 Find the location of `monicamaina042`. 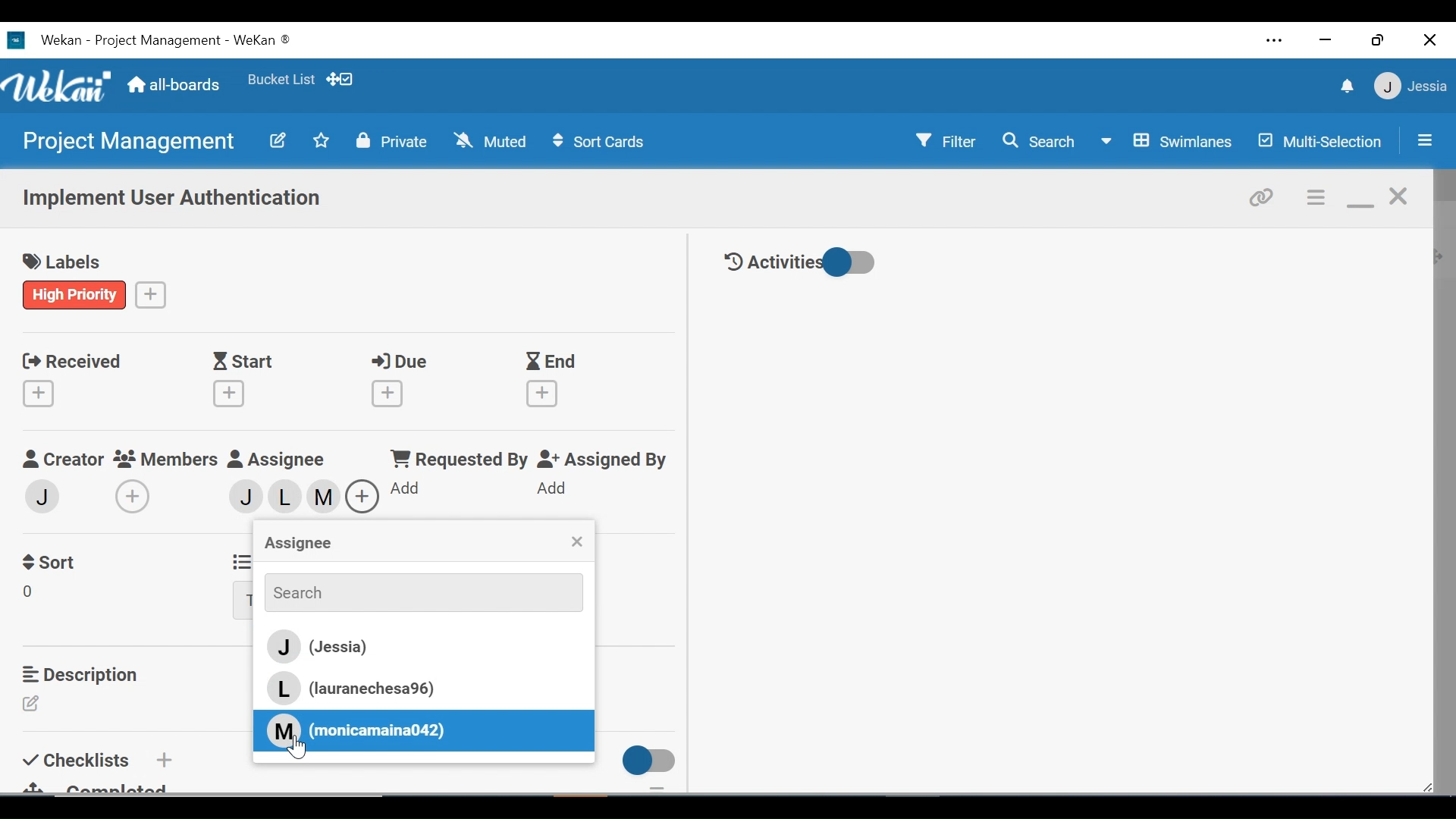

monicamaina042 is located at coordinates (326, 495).